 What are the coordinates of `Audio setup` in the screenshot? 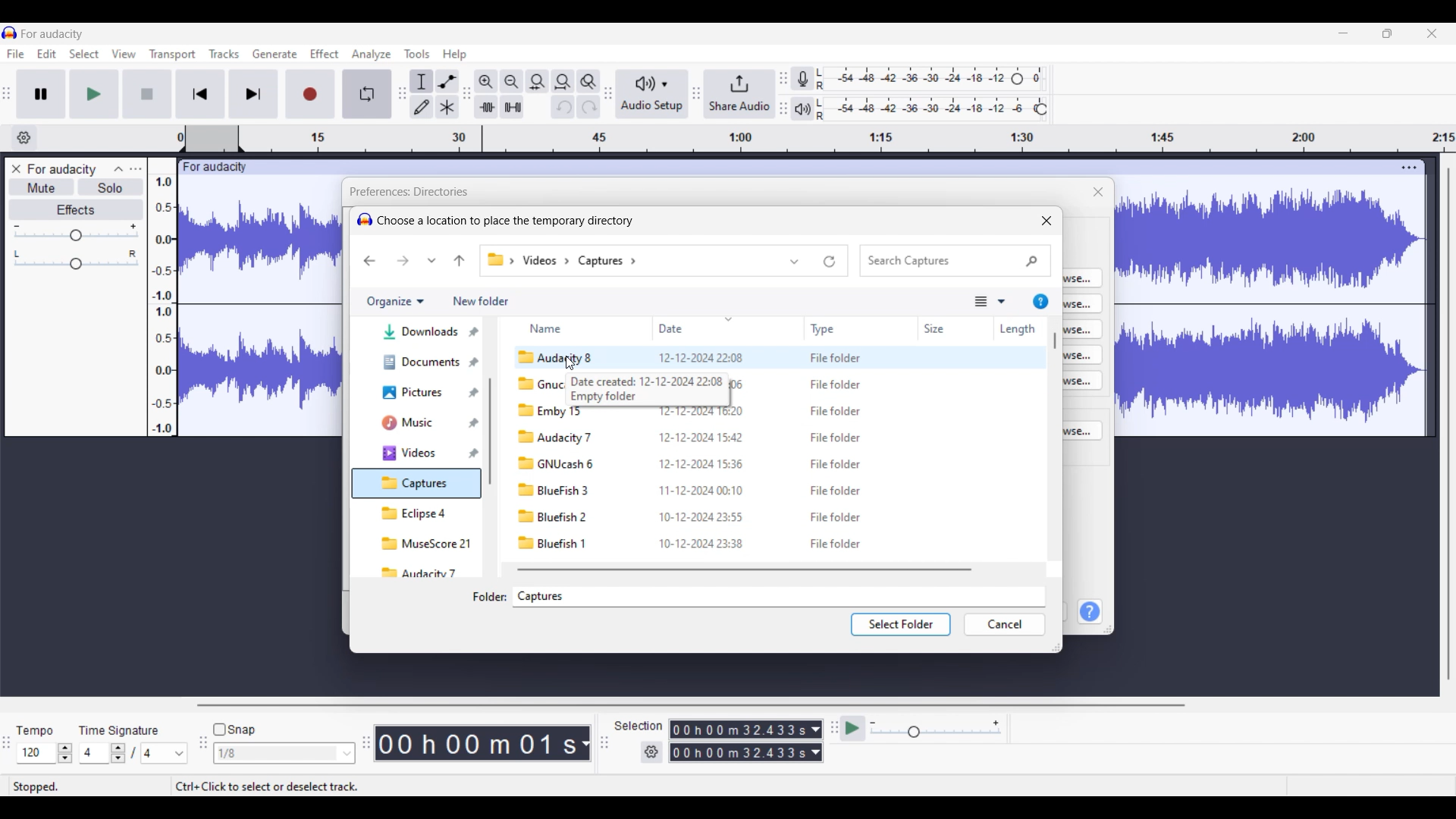 It's located at (652, 93).